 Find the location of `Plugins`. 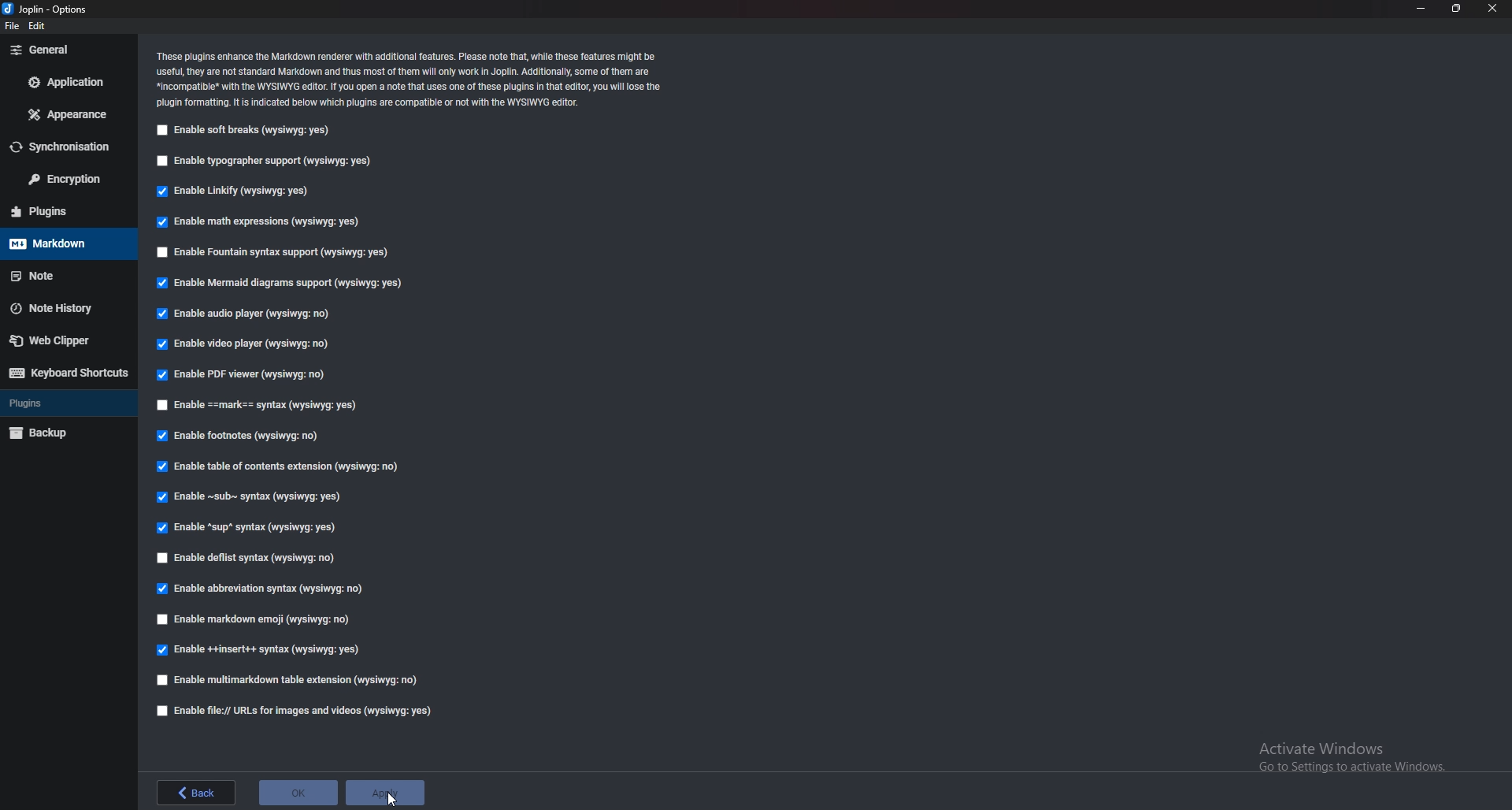

Plugins is located at coordinates (61, 211).